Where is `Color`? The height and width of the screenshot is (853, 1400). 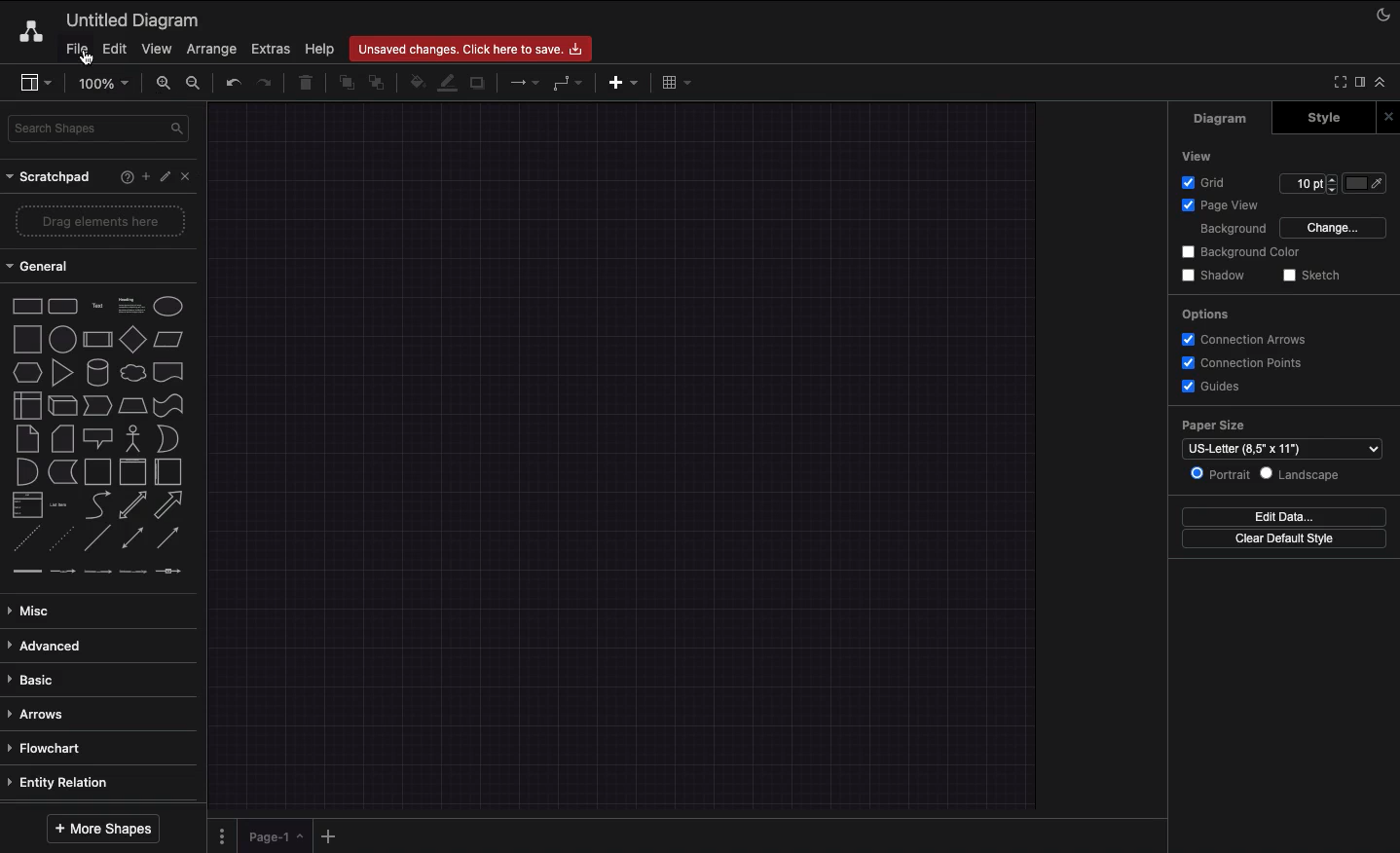
Color is located at coordinates (1367, 182).